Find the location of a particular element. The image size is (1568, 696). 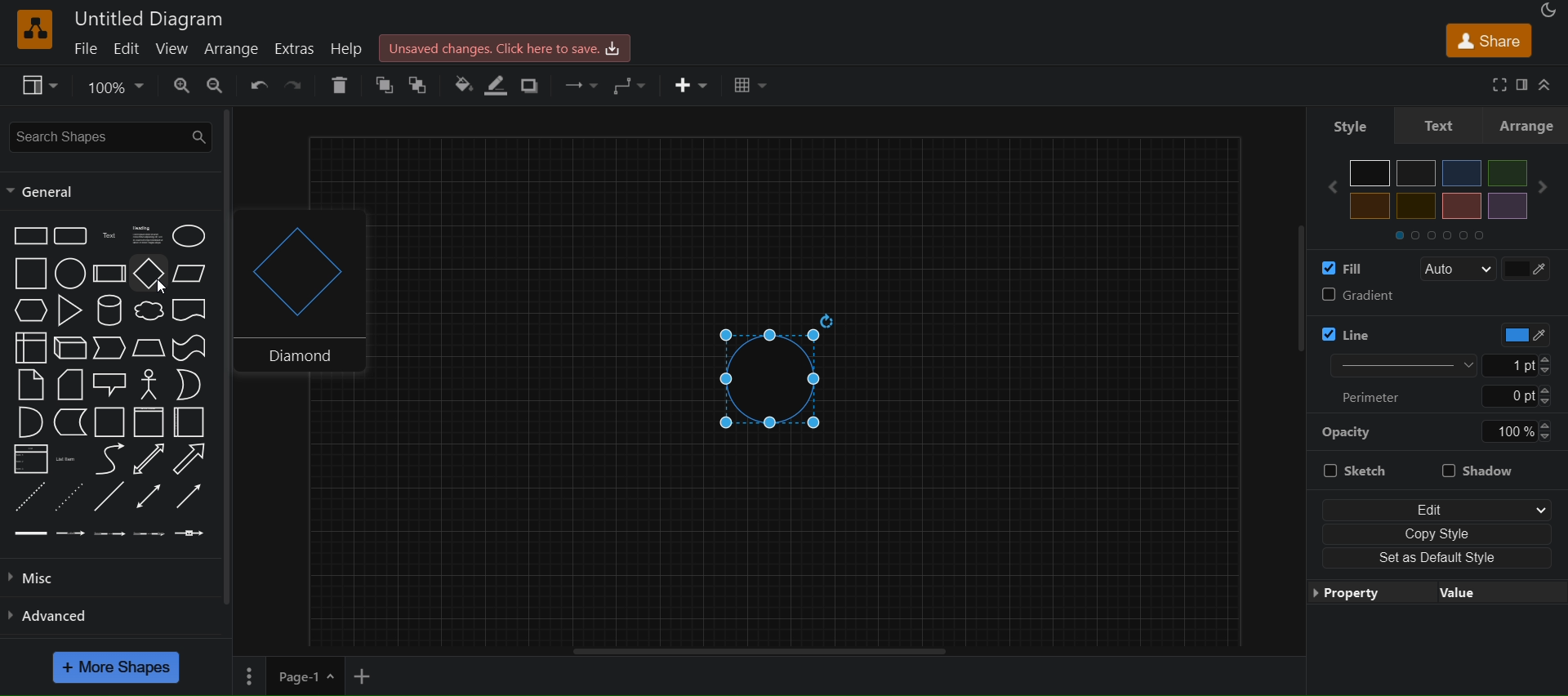

connector 3 is located at coordinates (108, 532).